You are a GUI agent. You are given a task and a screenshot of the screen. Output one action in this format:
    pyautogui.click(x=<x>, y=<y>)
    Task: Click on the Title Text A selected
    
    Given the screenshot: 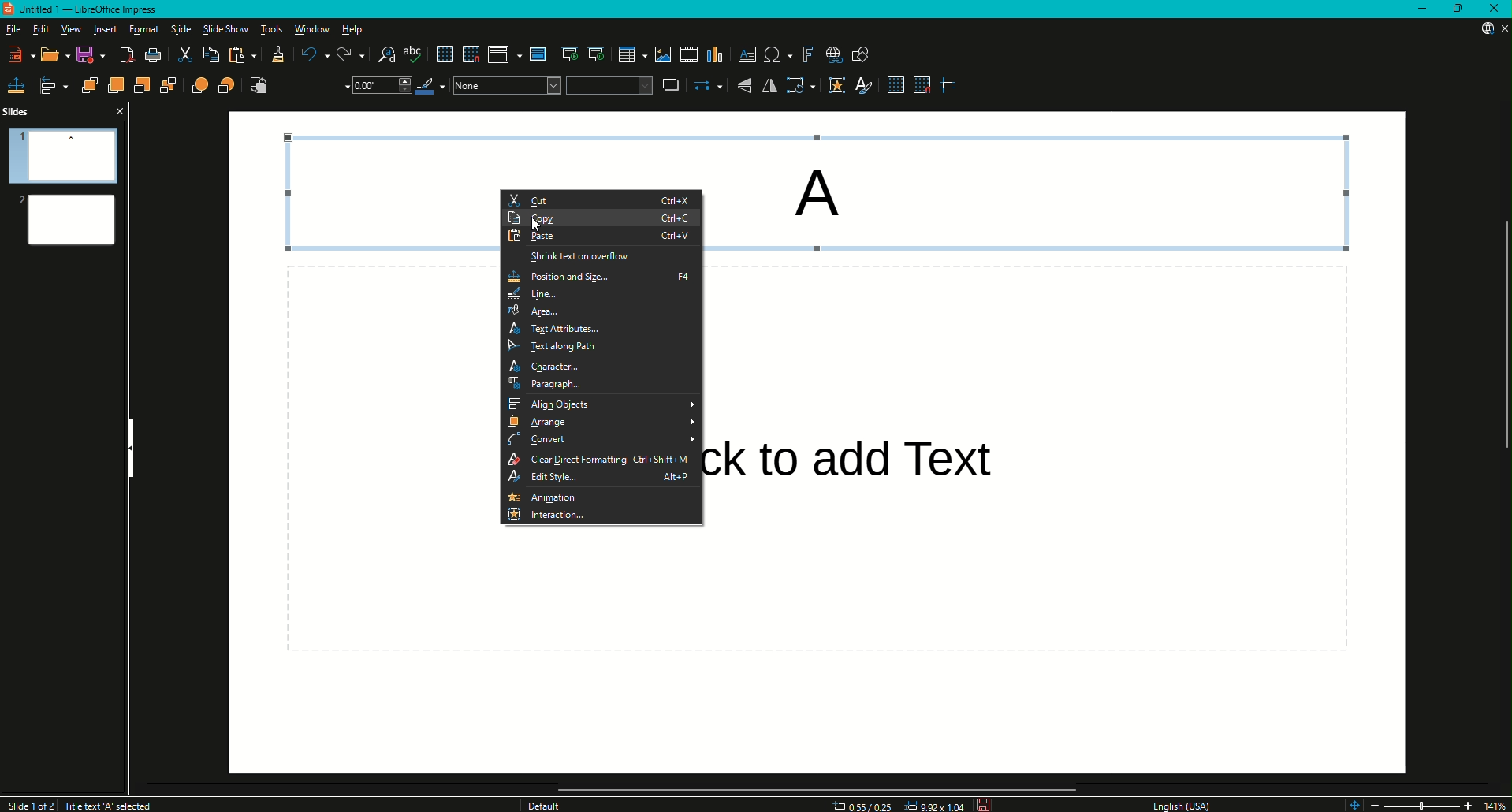 What is the action you would take?
    pyautogui.click(x=120, y=804)
    